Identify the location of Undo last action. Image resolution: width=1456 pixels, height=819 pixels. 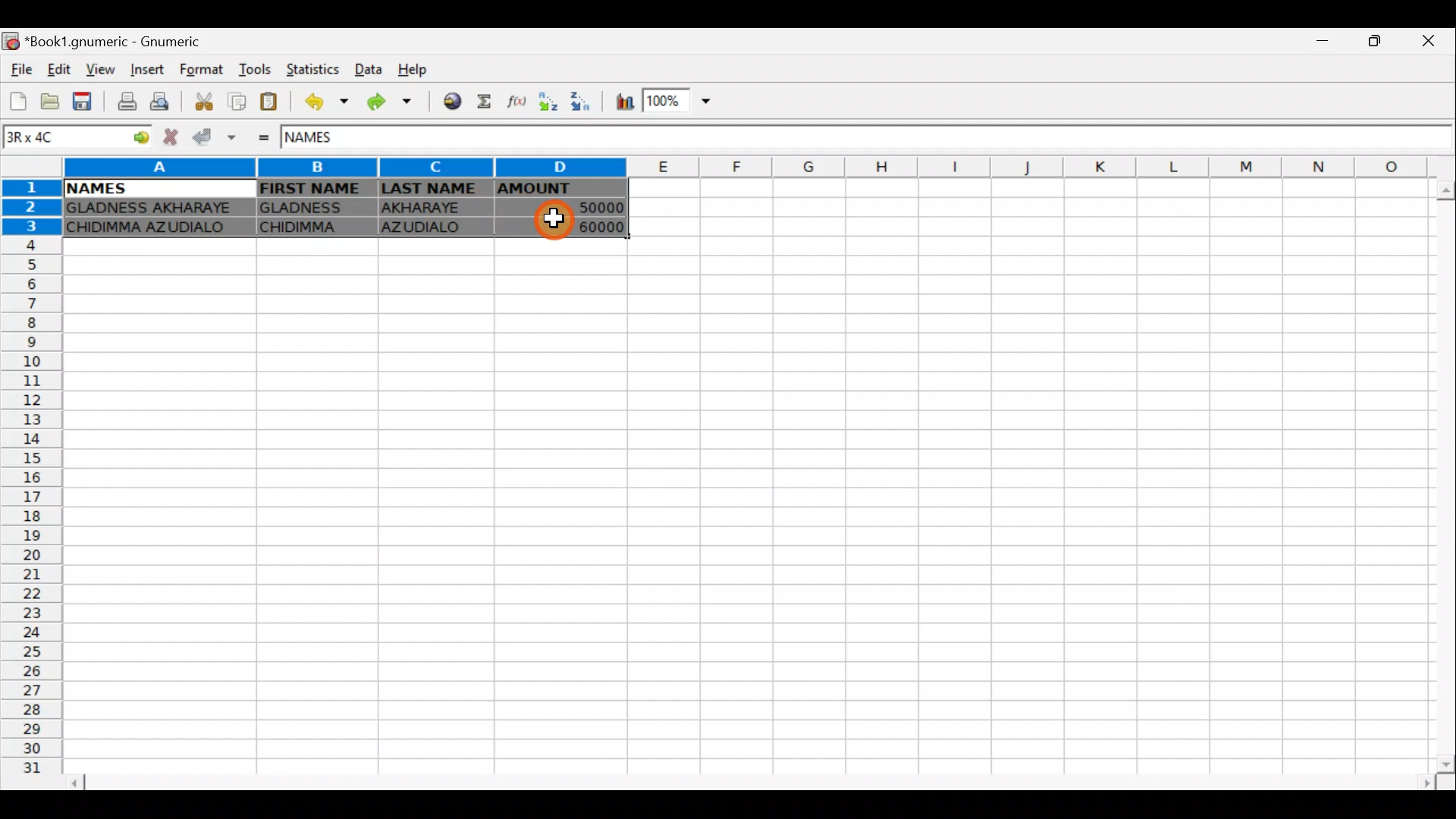
(328, 102).